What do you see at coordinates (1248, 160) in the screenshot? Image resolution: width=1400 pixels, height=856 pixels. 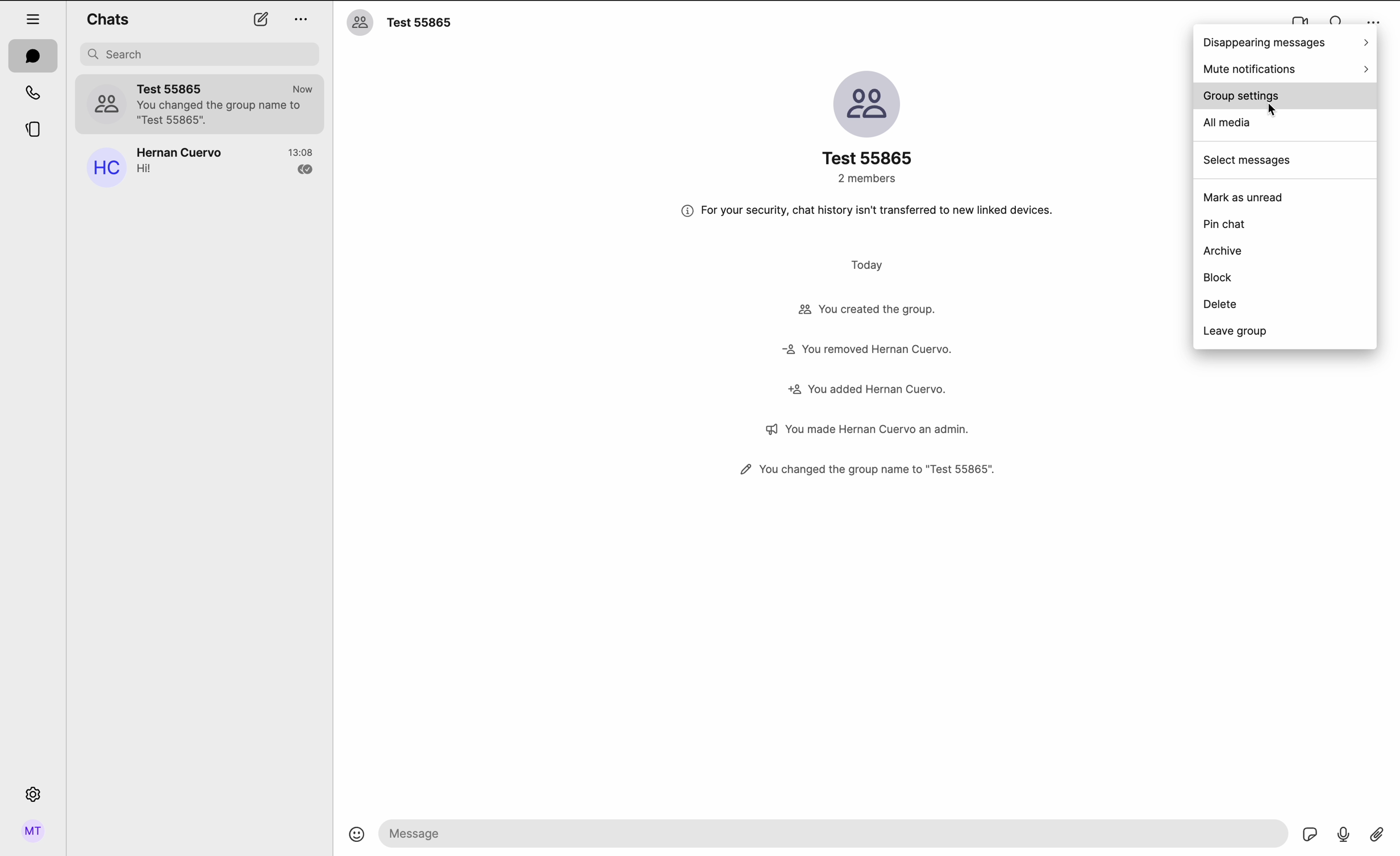 I see `select messages` at bounding box center [1248, 160].